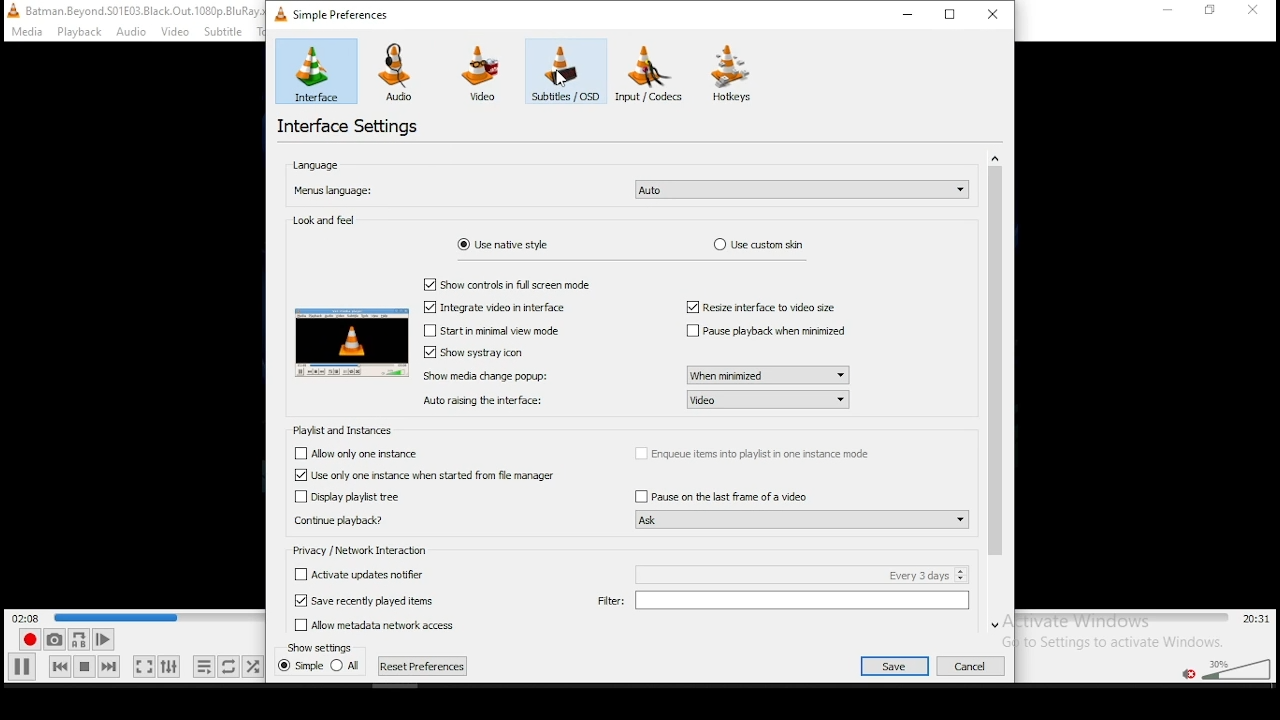 Image resolution: width=1280 pixels, height=720 pixels. I want to click on video, so click(480, 74).